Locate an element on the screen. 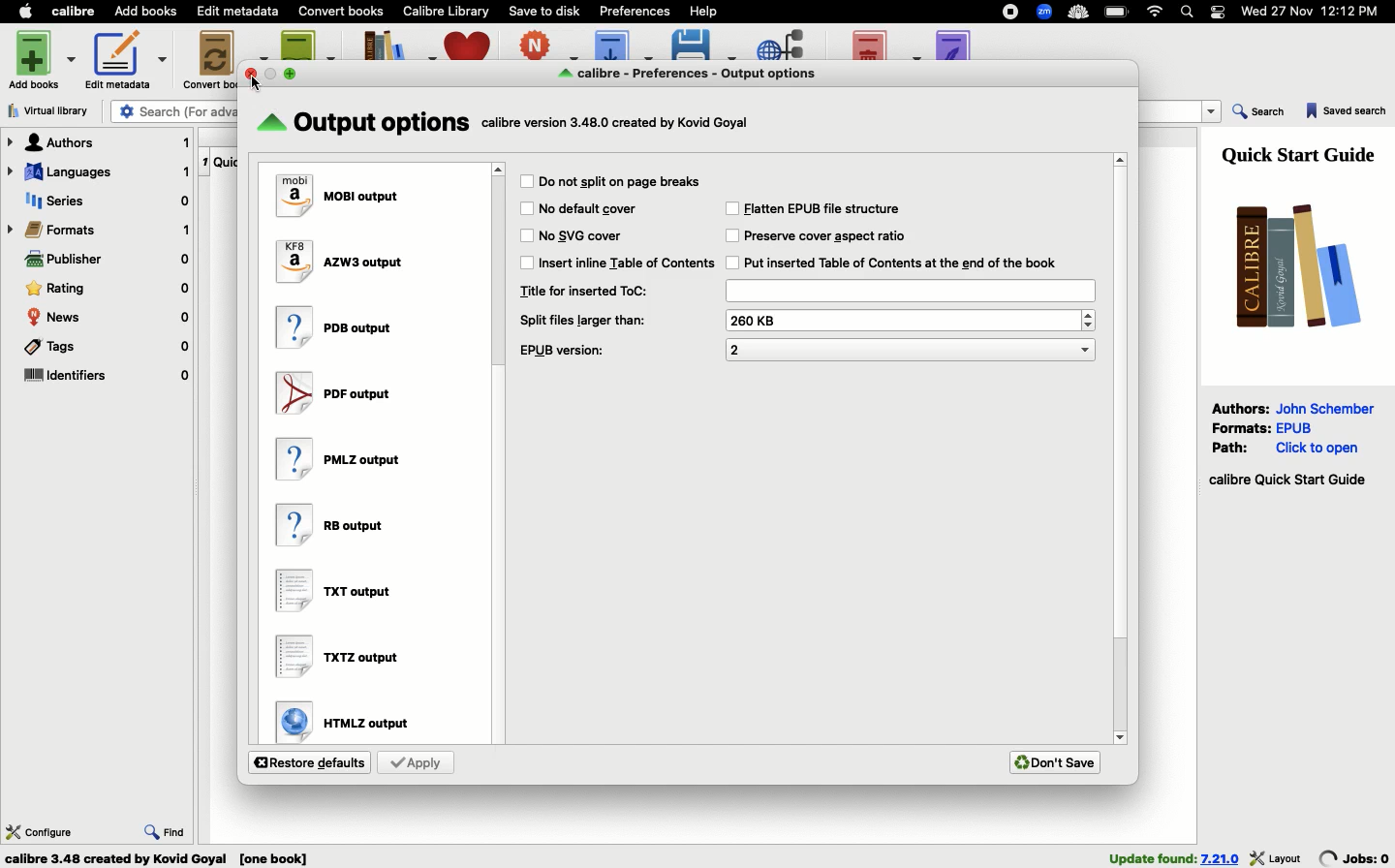 Image resolution: width=1395 pixels, height=868 pixels. Languages is located at coordinates (98, 173).